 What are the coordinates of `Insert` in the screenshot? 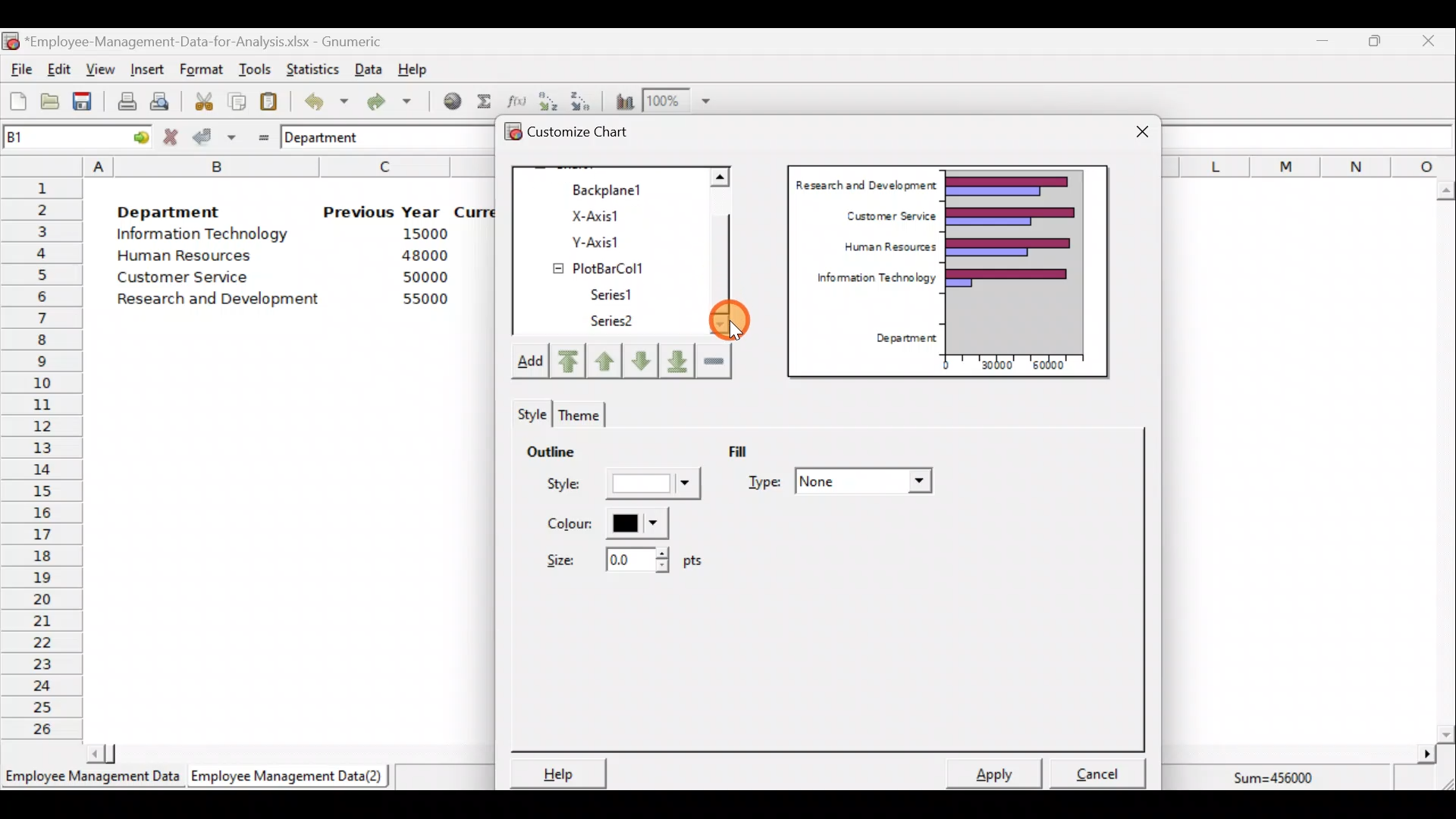 It's located at (146, 70).